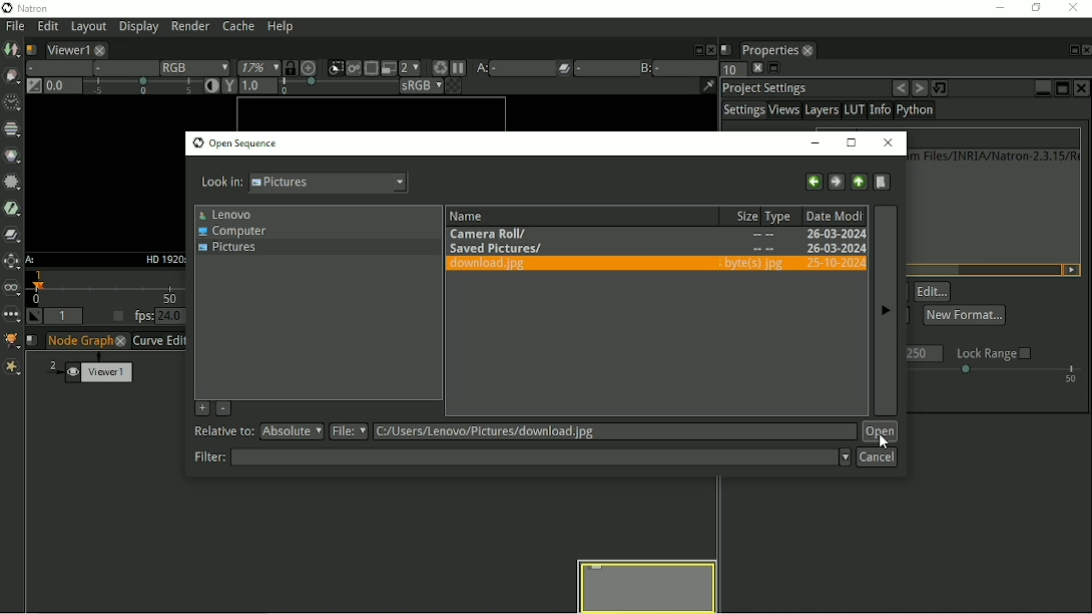 This screenshot has width=1092, height=614. Describe the element at coordinates (13, 156) in the screenshot. I see `Color` at that location.